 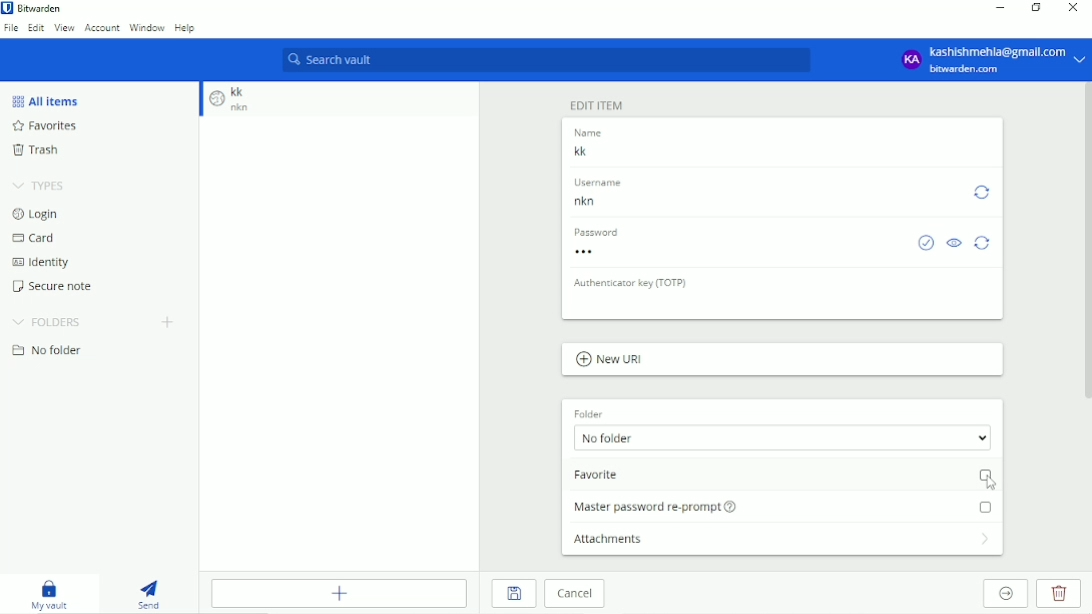 I want to click on scroll bar, so click(x=1086, y=246).